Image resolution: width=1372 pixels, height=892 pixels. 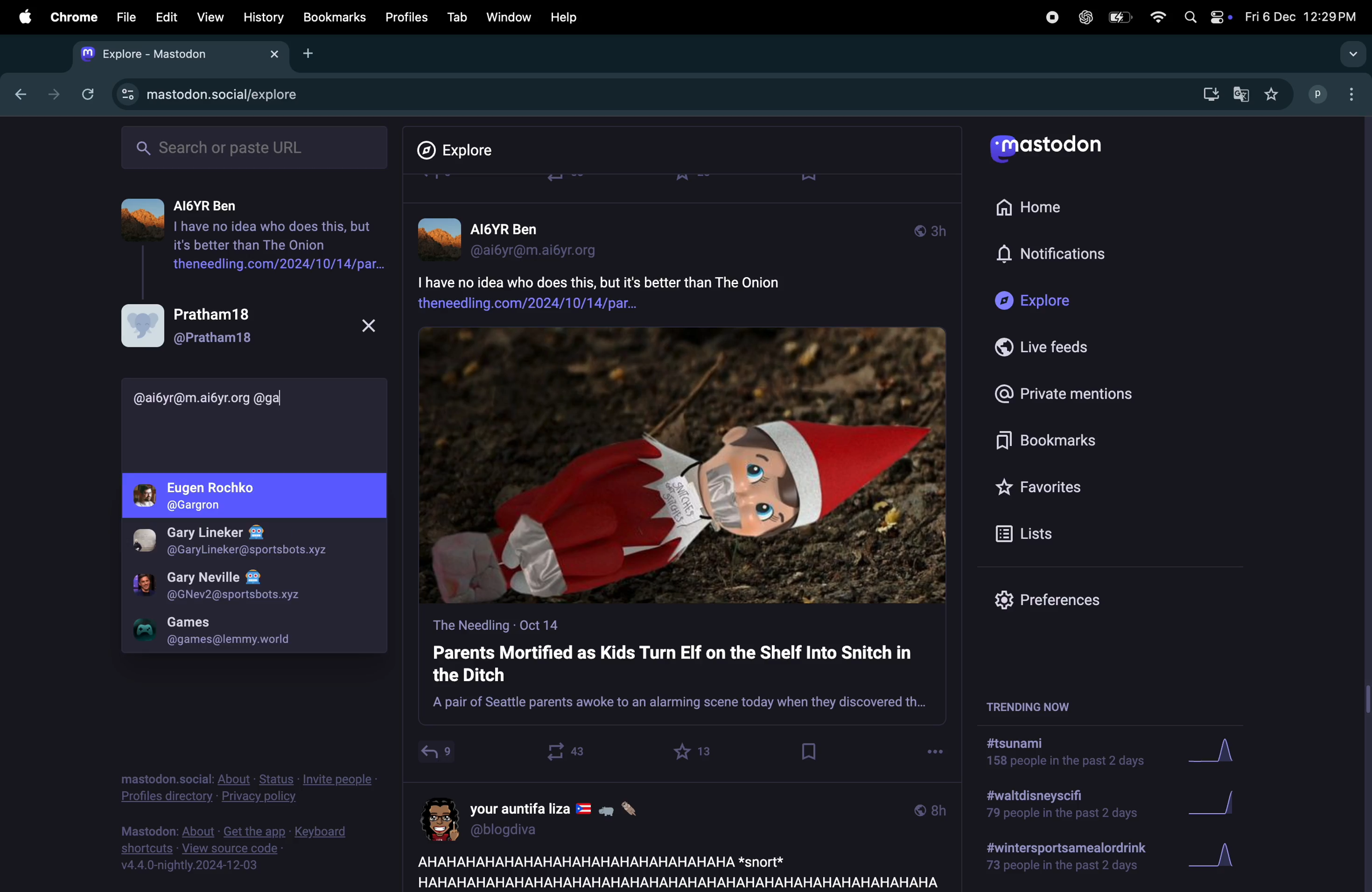 What do you see at coordinates (507, 17) in the screenshot?
I see `Window` at bounding box center [507, 17].